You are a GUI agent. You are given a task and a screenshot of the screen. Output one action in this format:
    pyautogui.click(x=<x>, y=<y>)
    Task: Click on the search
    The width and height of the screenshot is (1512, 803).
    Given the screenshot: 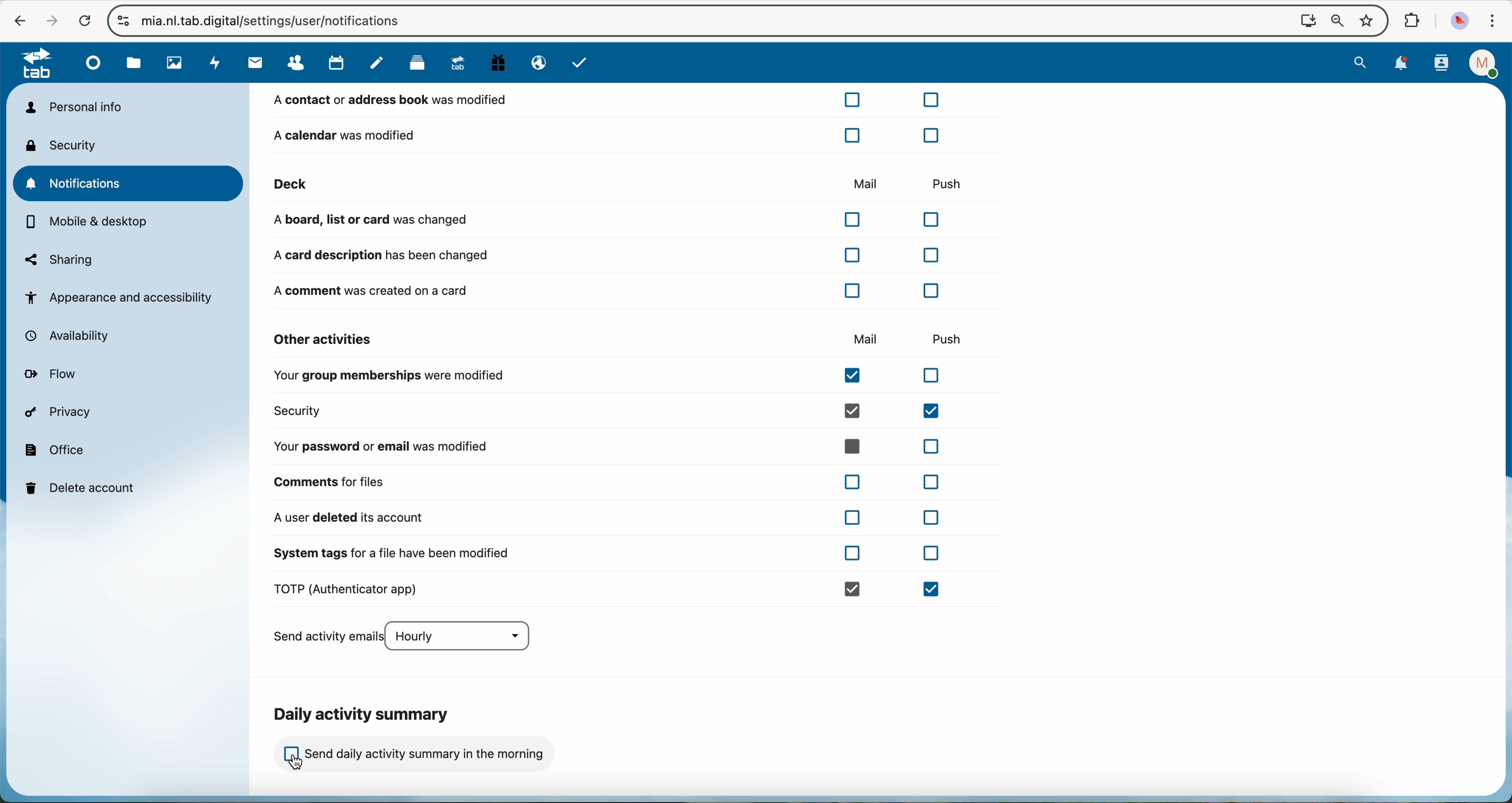 What is the action you would take?
    pyautogui.click(x=1362, y=62)
    